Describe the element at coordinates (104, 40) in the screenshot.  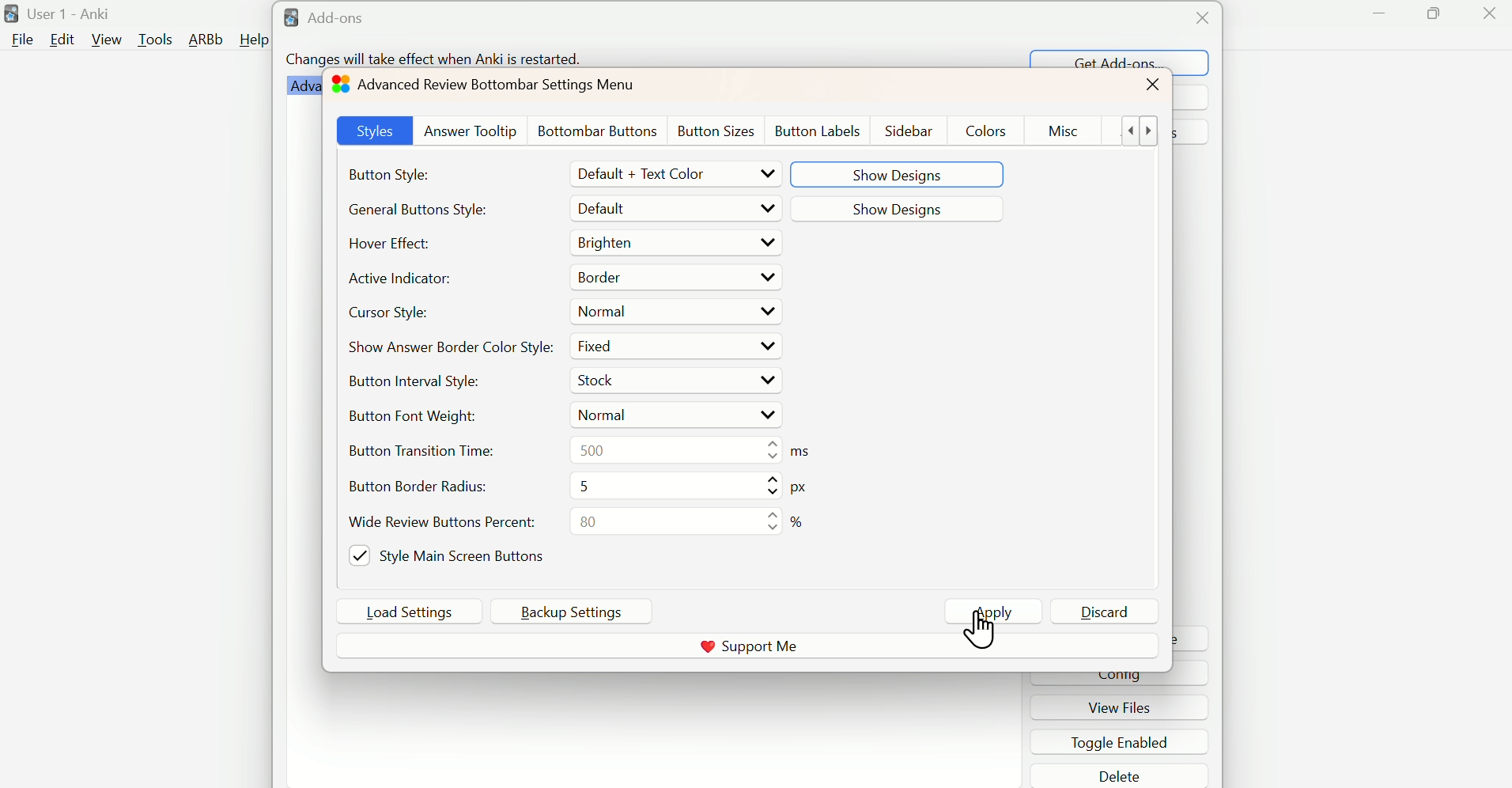
I see `View` at that location.